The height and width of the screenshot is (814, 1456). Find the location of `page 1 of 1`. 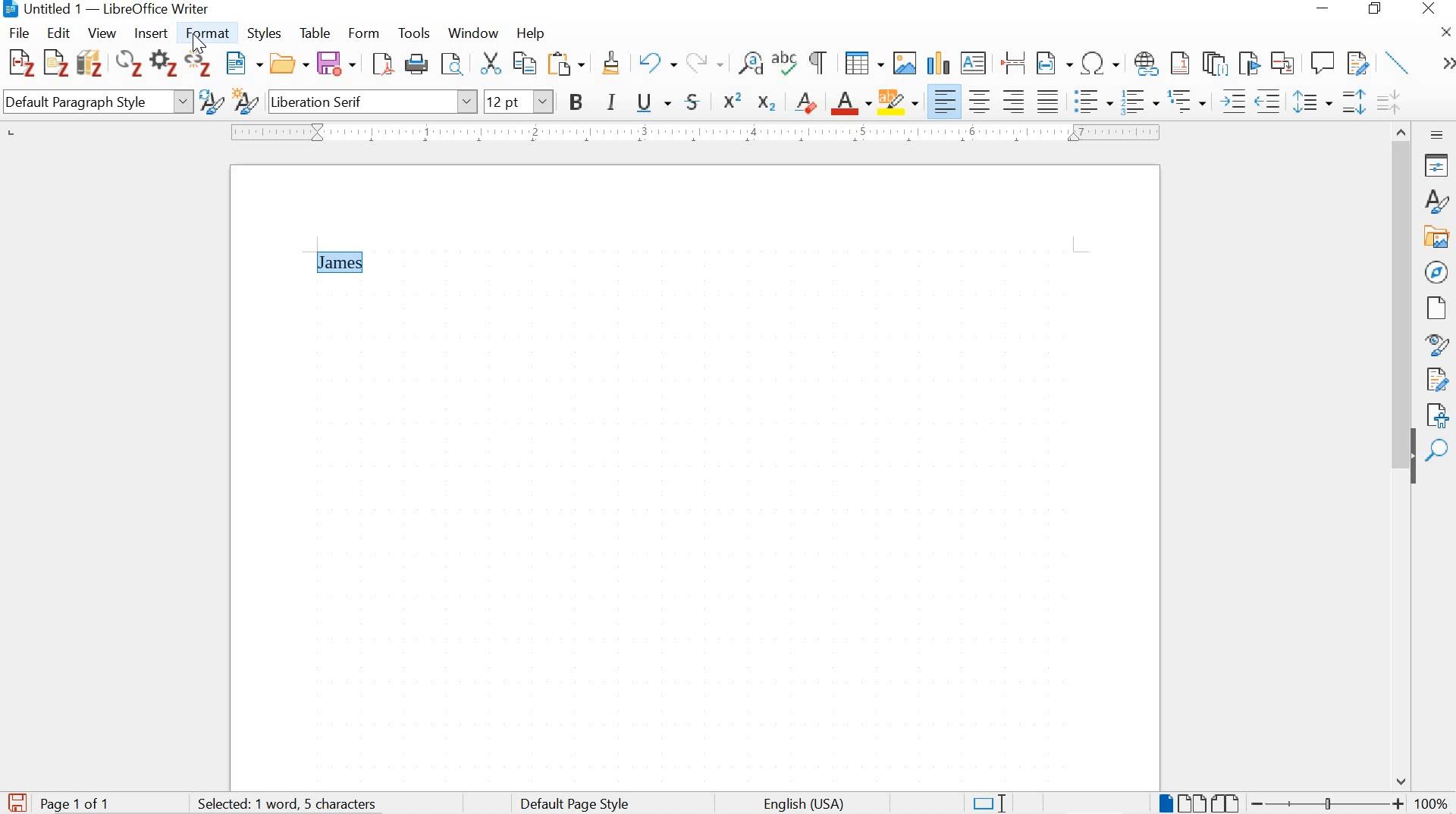

page 1 of 1 is located at coordinates (77, 803).